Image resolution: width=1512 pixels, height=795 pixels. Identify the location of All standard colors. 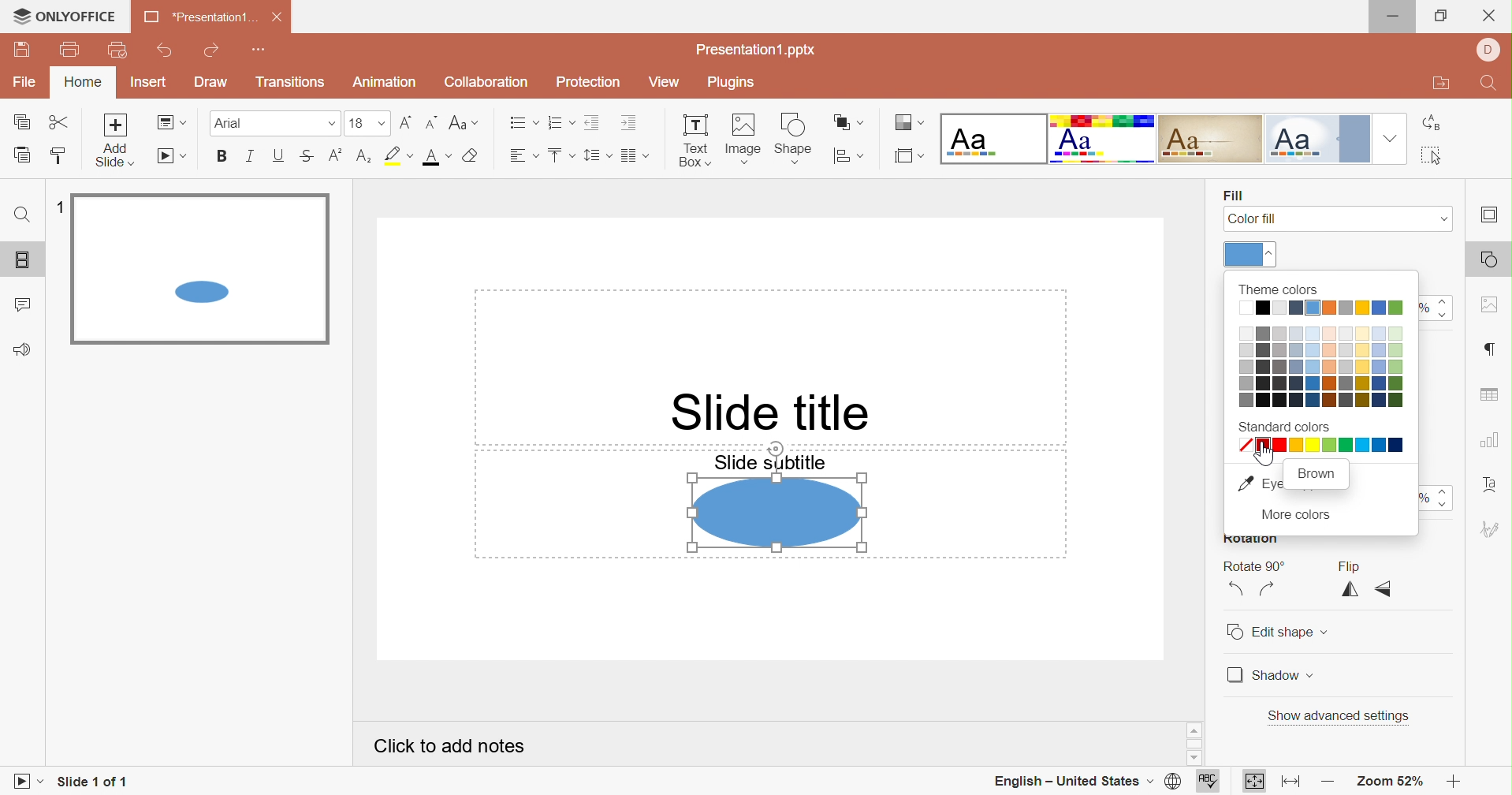
(1322, 445).